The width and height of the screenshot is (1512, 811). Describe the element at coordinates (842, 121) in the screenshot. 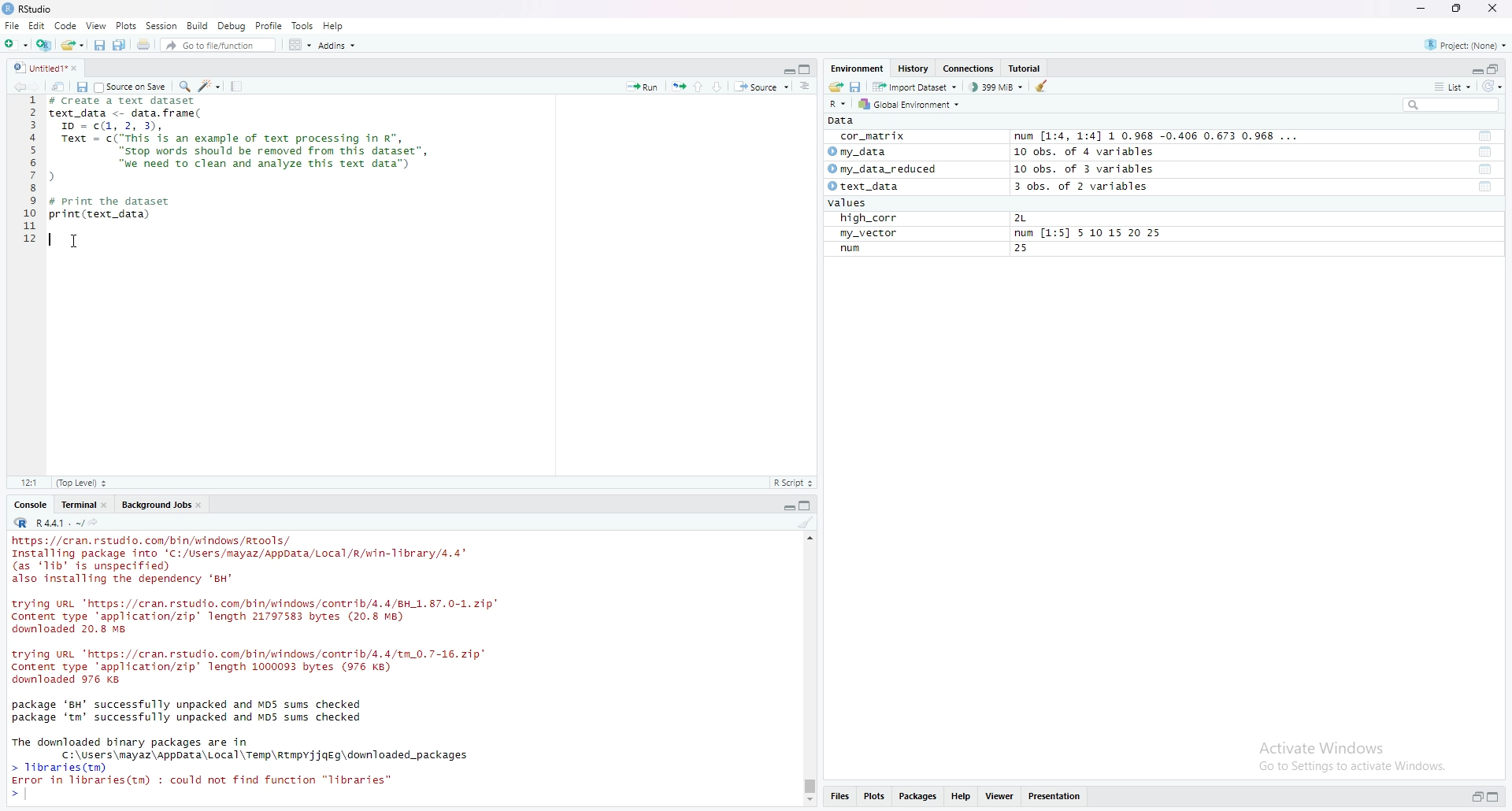

I see `data` at that location.